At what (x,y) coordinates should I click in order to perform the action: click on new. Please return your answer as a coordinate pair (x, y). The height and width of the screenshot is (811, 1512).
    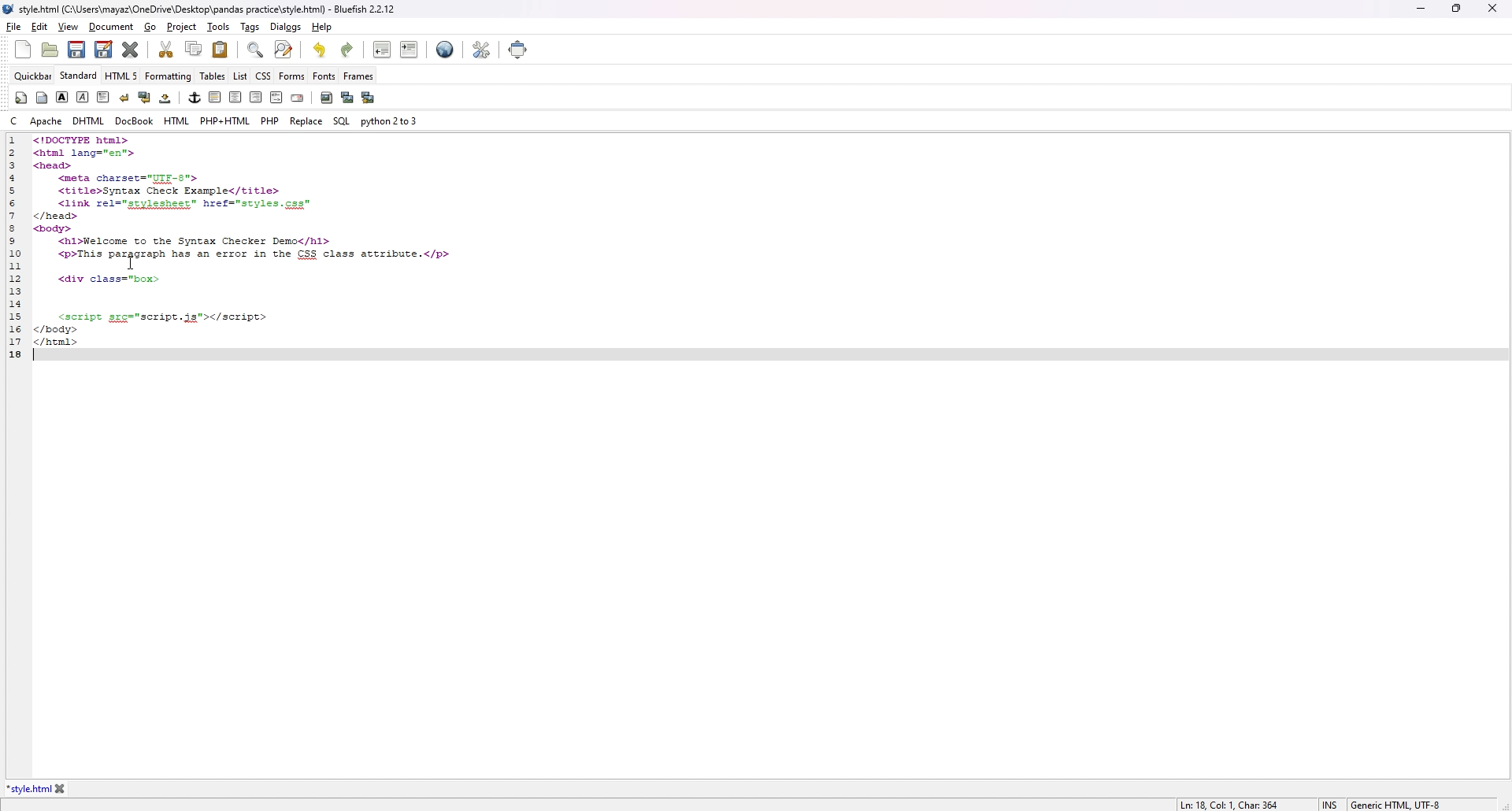
    Looking at the image, I should click on (22, 49).